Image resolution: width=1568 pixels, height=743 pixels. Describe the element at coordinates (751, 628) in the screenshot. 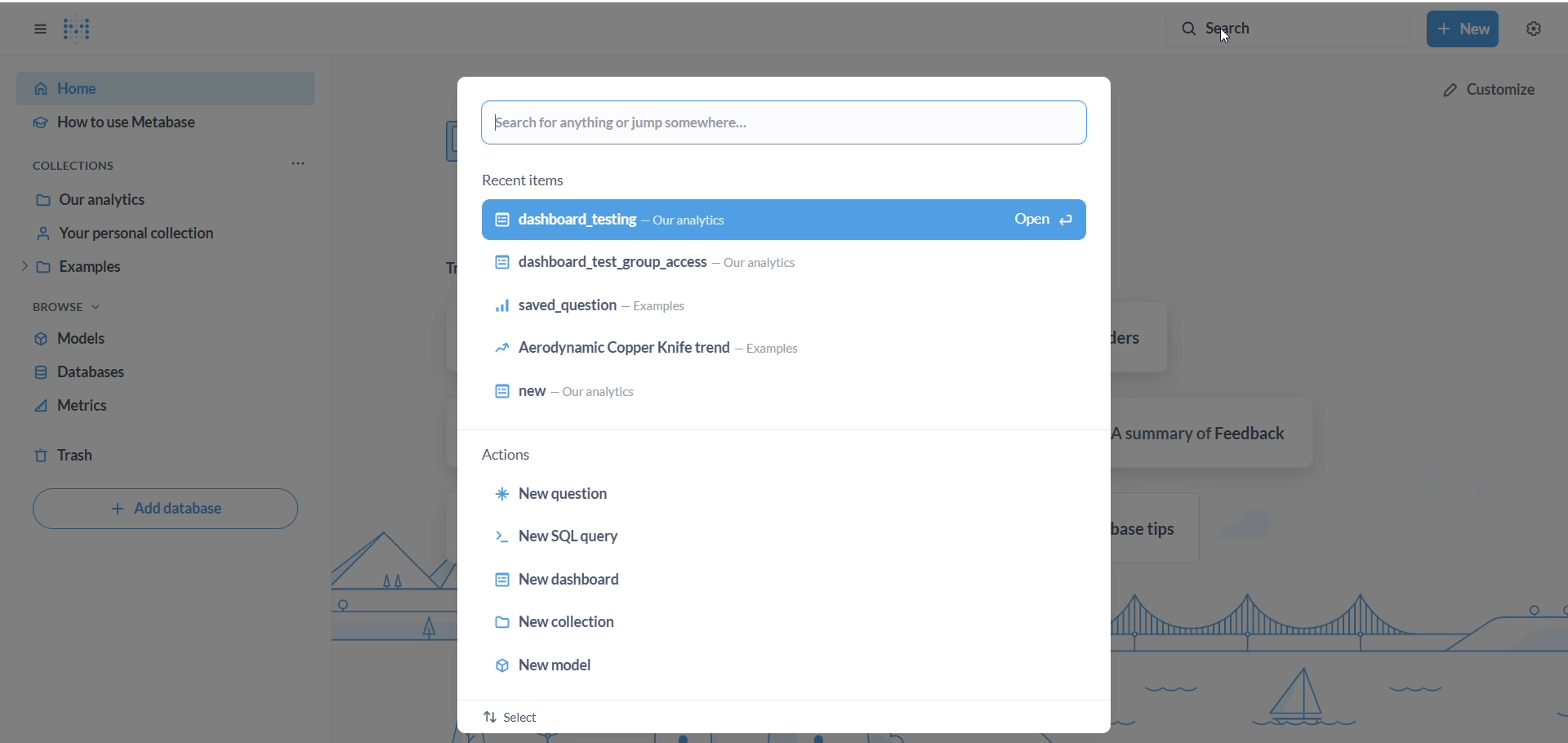

I see `new collection` at that location.